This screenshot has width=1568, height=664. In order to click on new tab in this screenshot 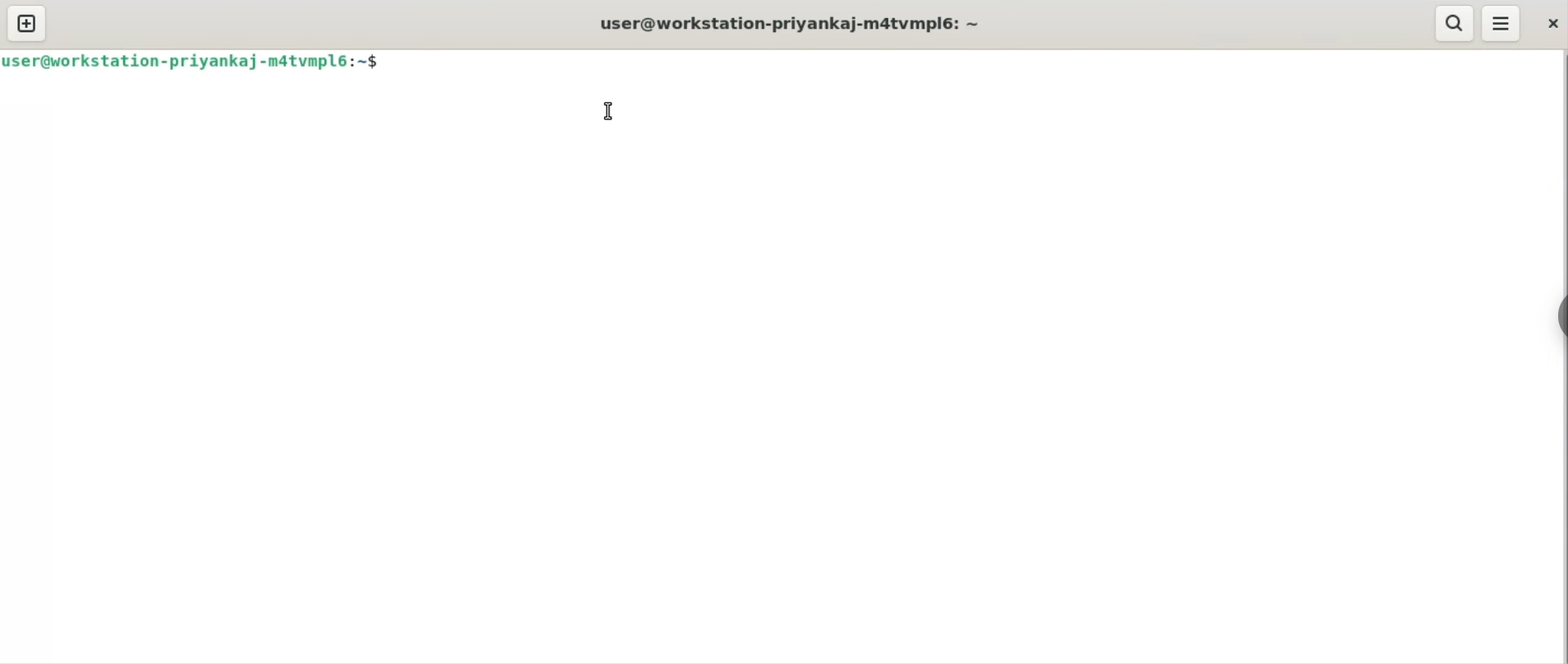, I will do `click(26, 23)`.